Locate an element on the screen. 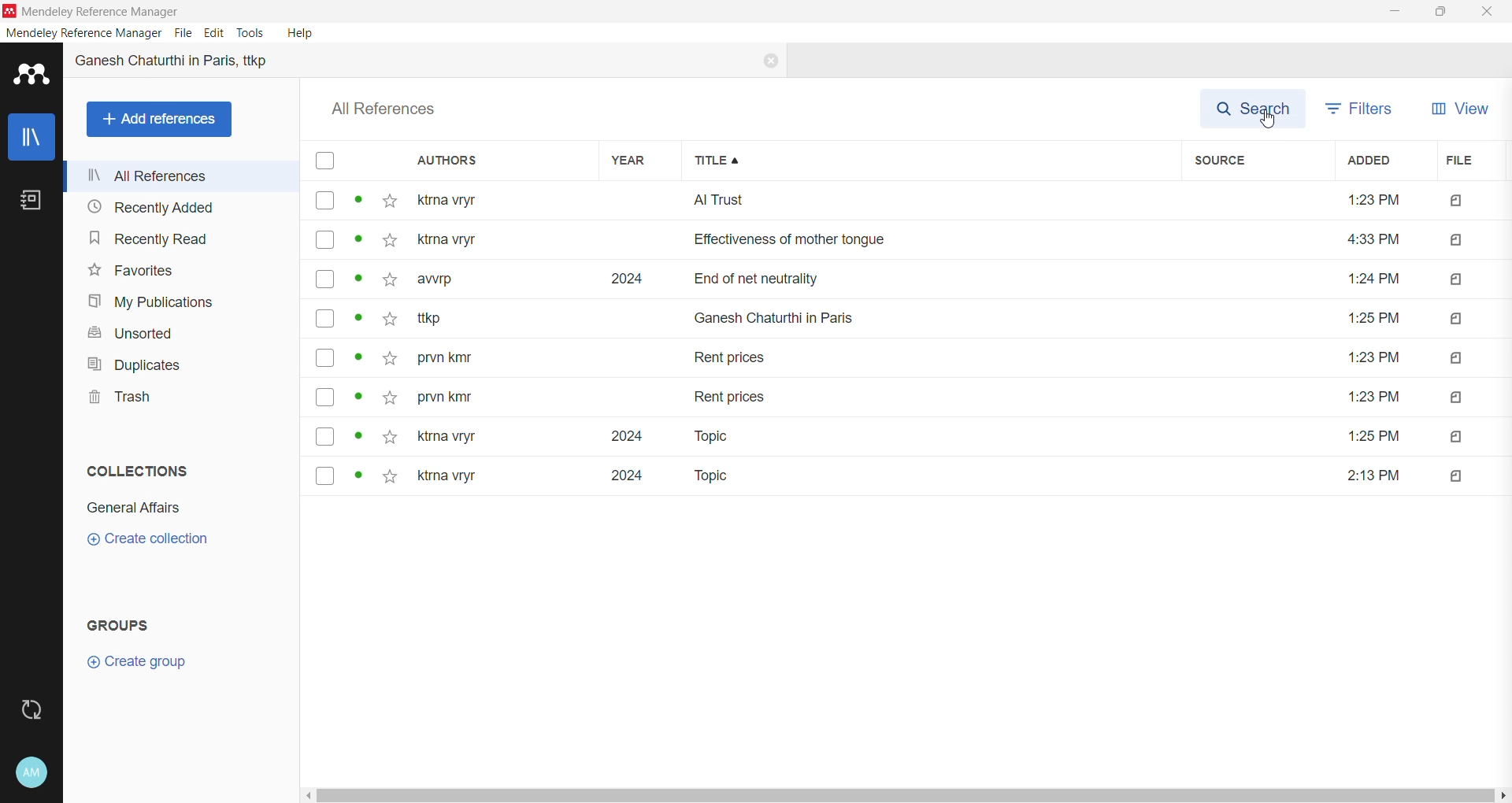 The width and height of the screenshot is (1512, 803). Added is located at coordinates (1381, 161).